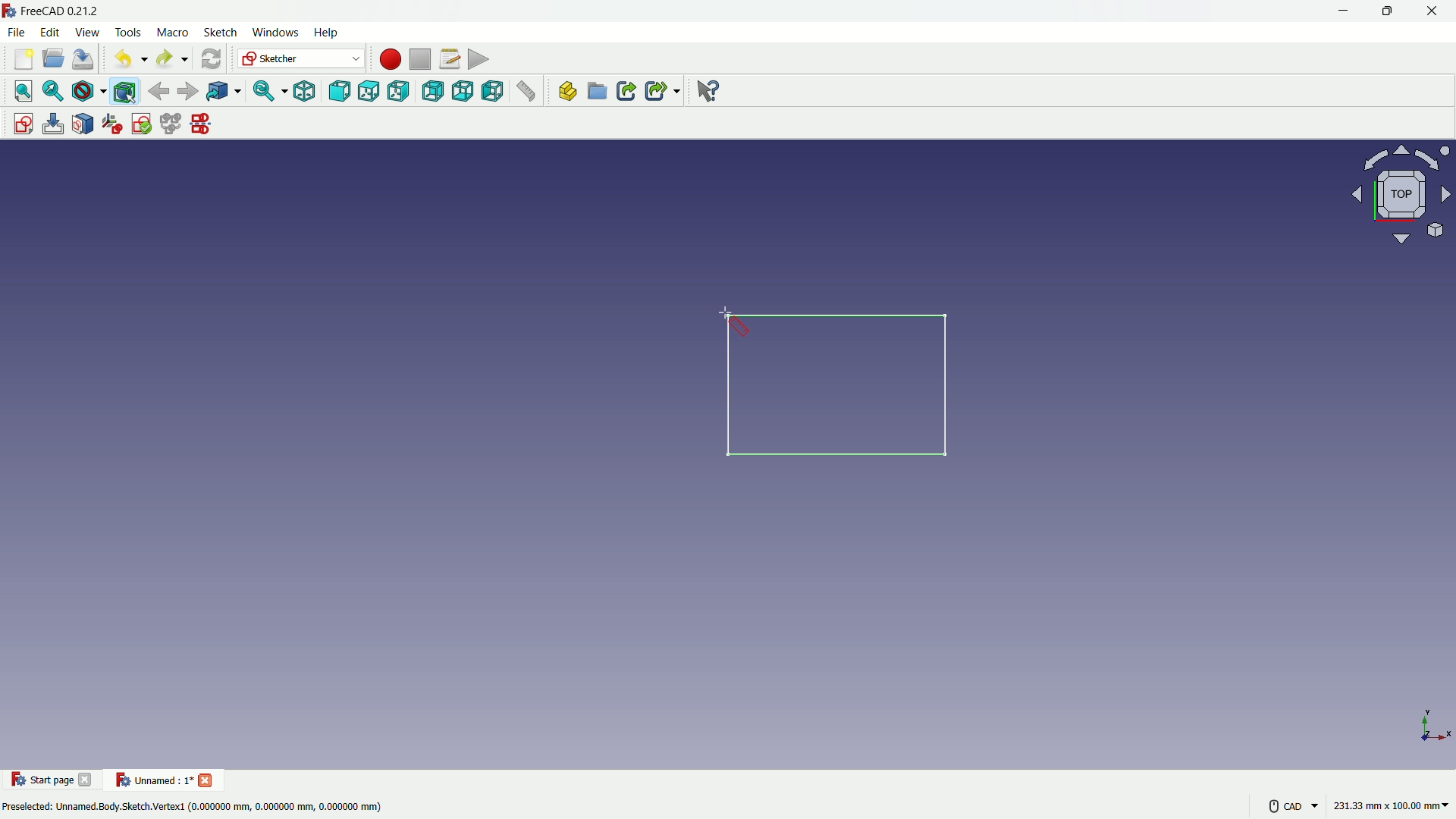 The image size is (1456, 819). Describe the element at coordinates (1341, 11) in the screenshot. I see `minimize` at that location.